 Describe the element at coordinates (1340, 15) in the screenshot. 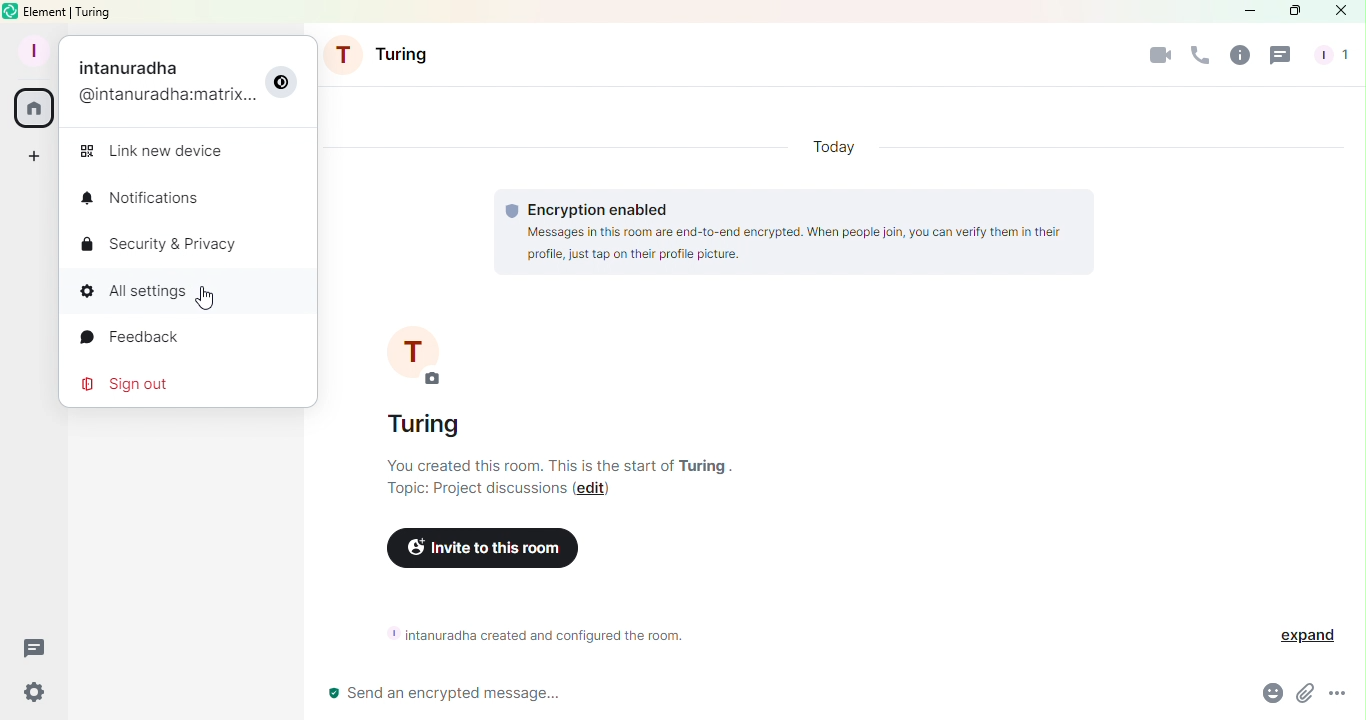

I see `Close` at that location.